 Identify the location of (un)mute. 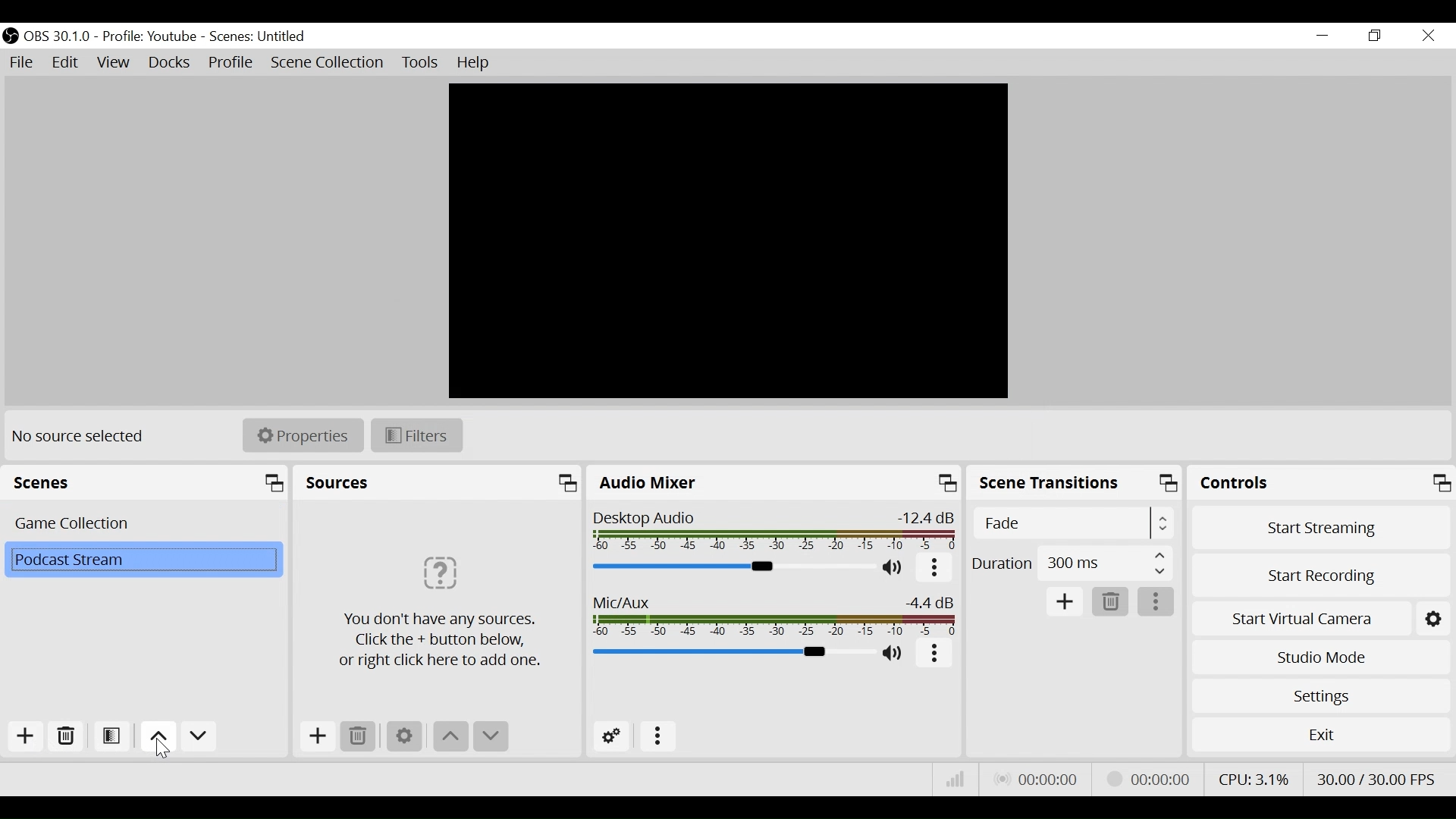
(895, 570).